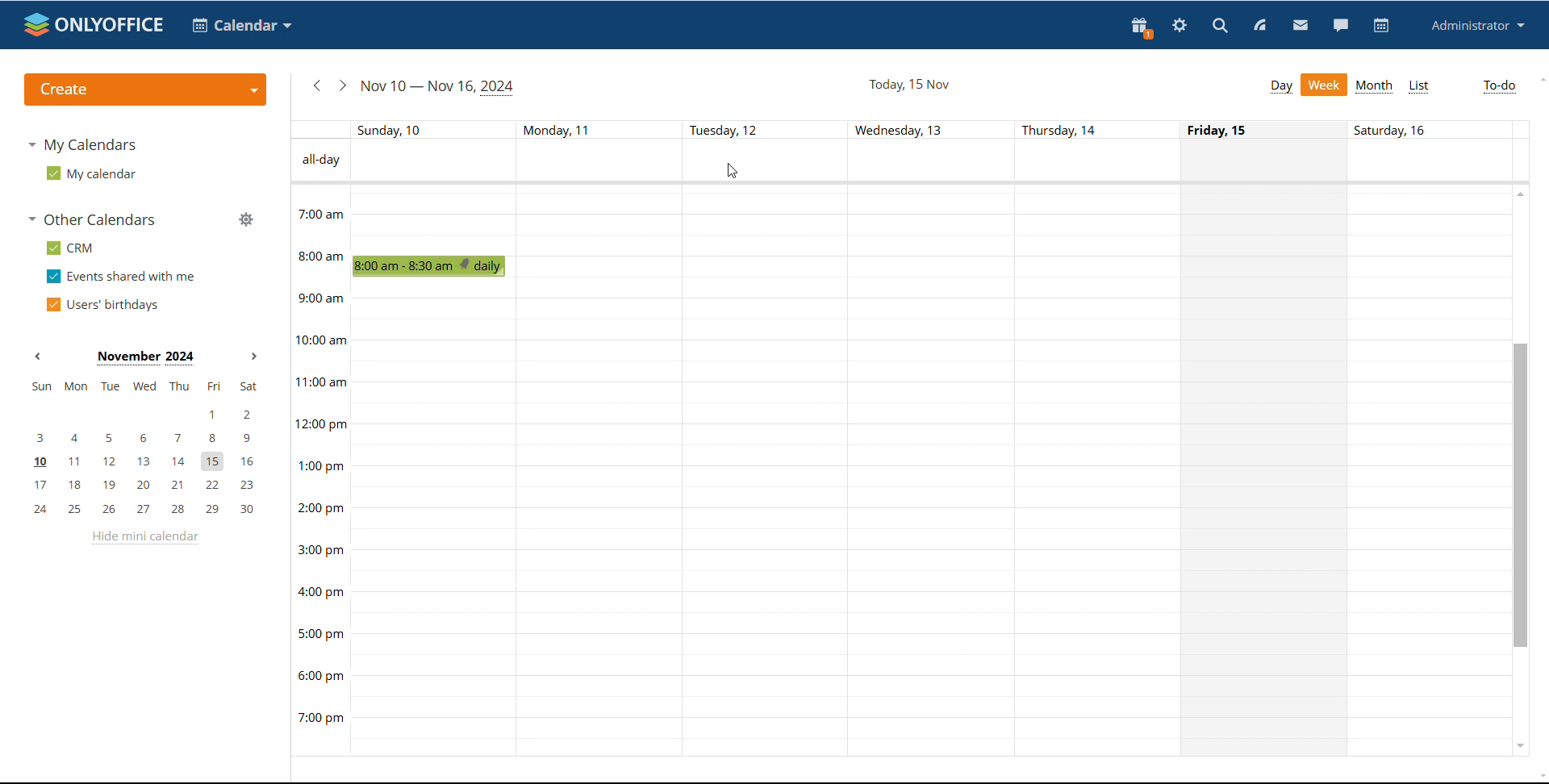  I want to click on other calendars, so click(94, 220).